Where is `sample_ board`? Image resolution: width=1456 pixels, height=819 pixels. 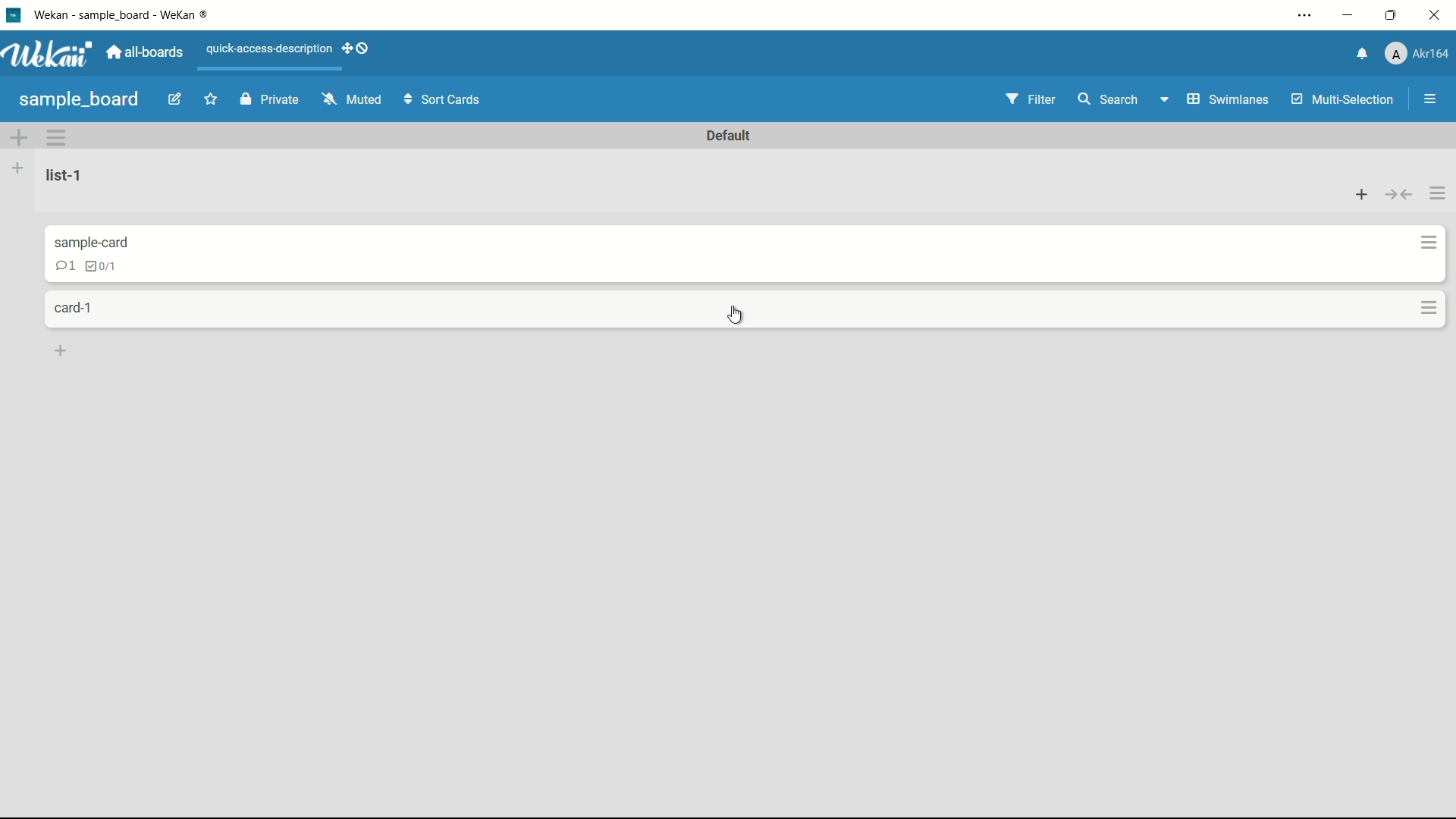 sample_ board is located at coordinates (80, 99).